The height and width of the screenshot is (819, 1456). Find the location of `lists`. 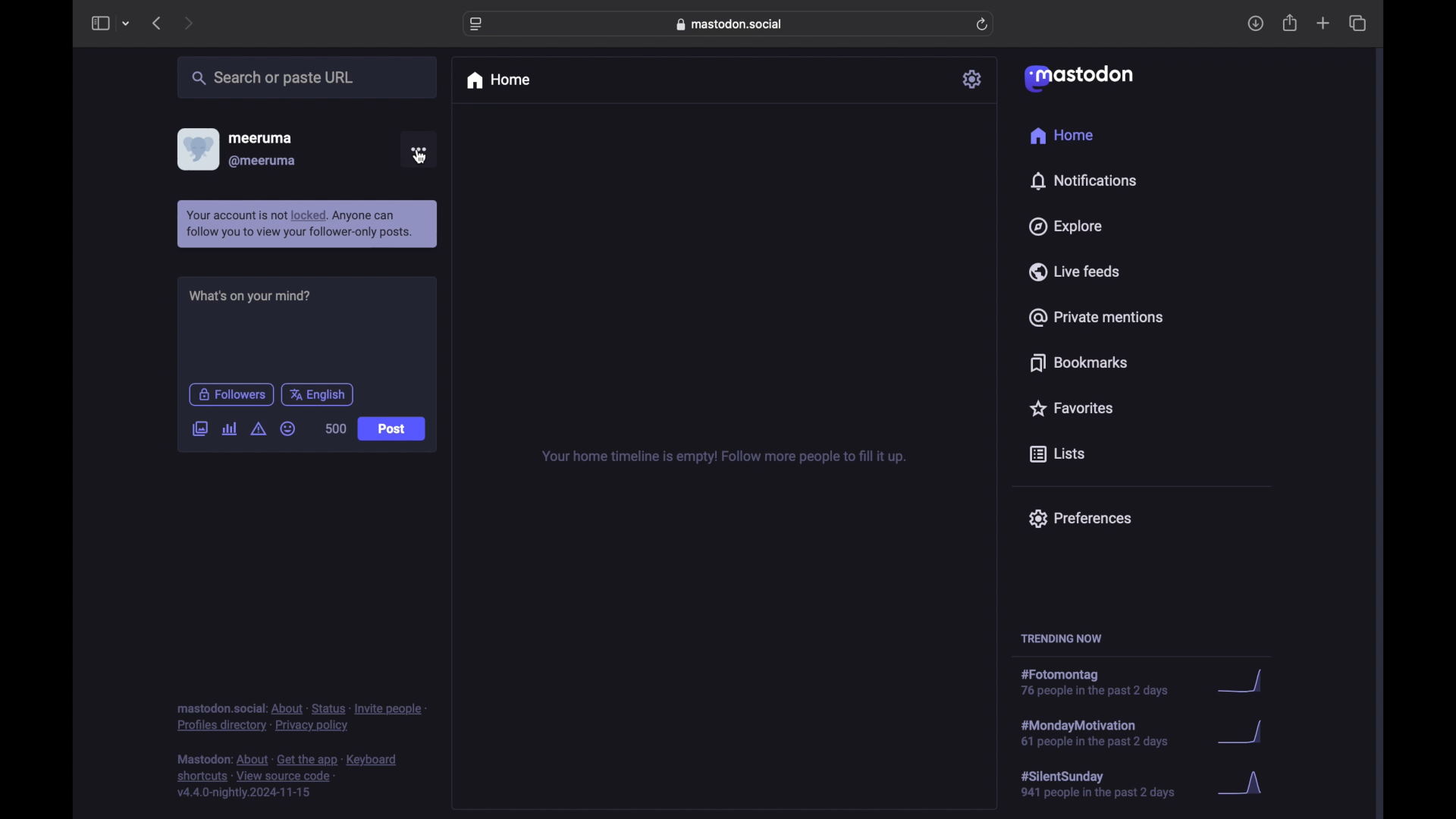

lists is located at coordinates (1057, 454).